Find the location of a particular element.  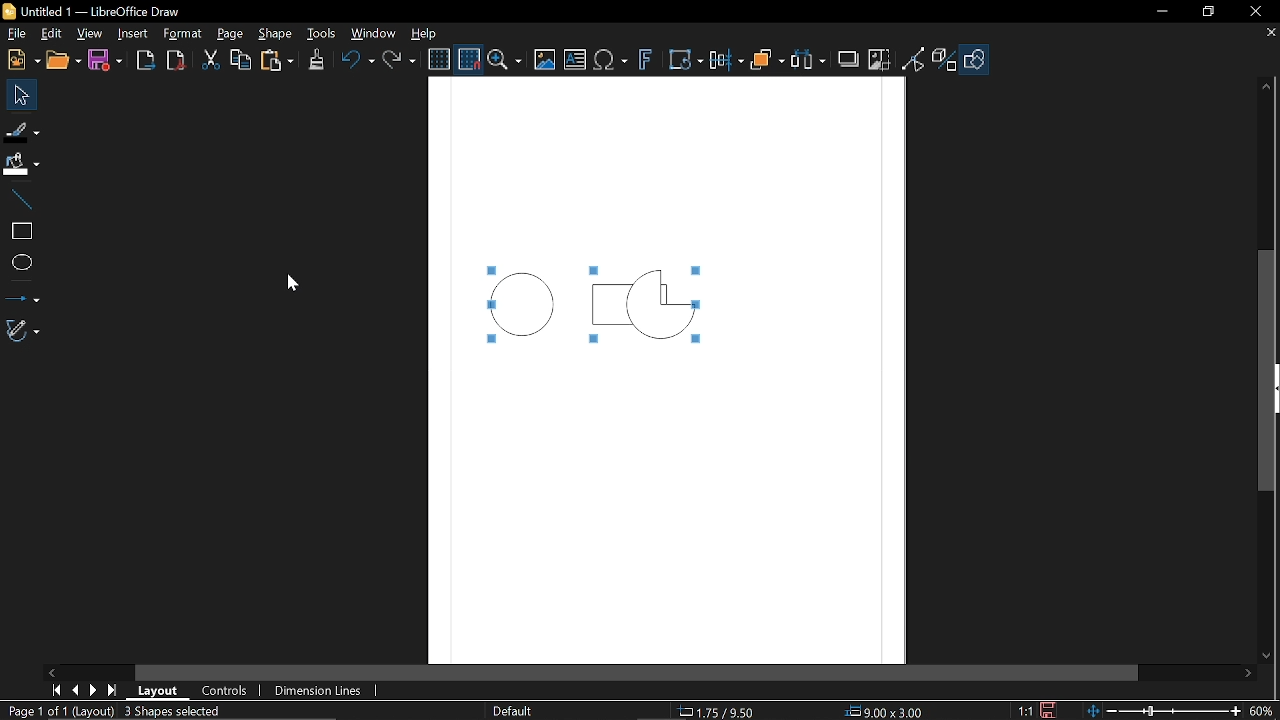

Page 1 of 1 (Layout) is located at coordinates (58, 711).